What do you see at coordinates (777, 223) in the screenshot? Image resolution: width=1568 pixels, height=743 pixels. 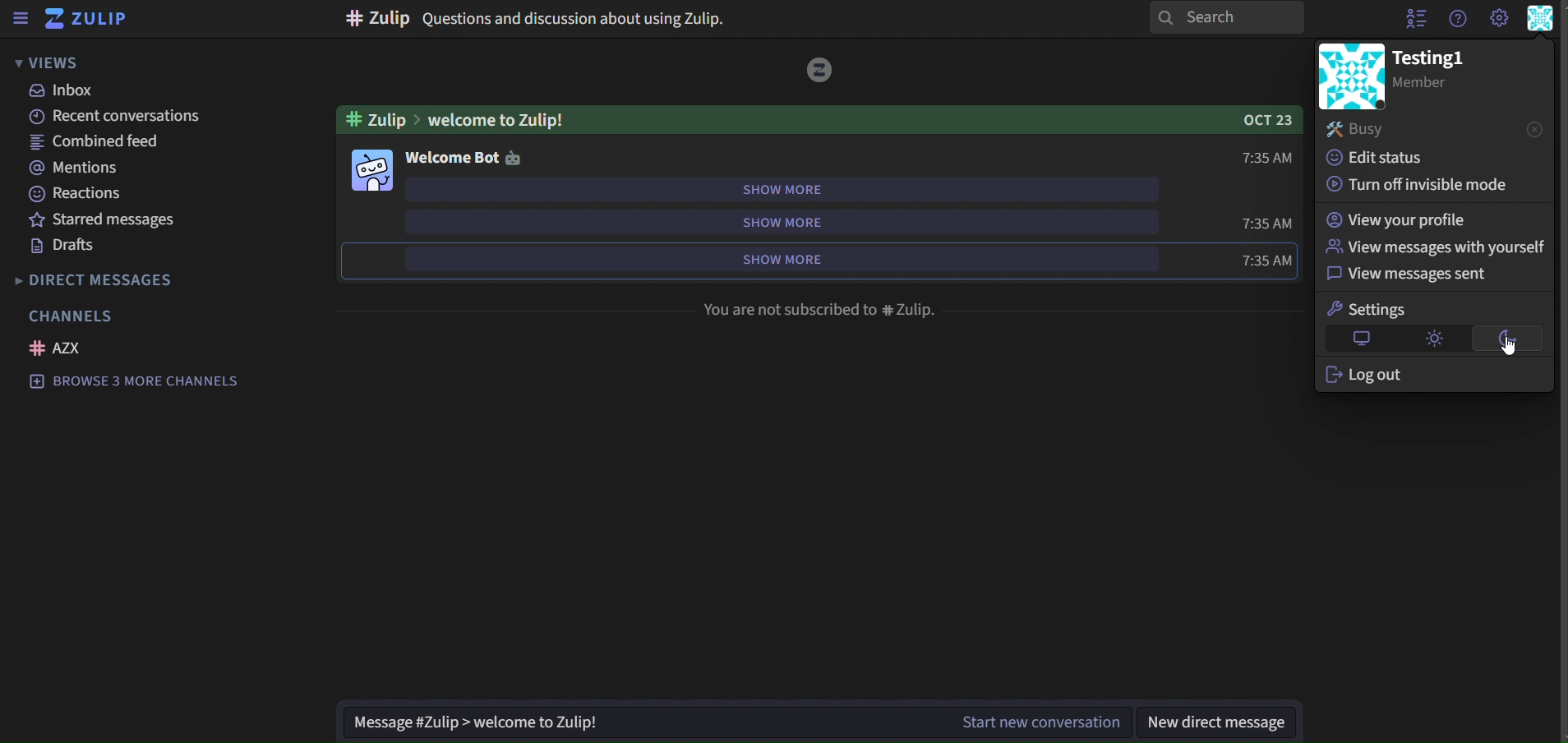 I see `show more` at bounding box center [777, 223].